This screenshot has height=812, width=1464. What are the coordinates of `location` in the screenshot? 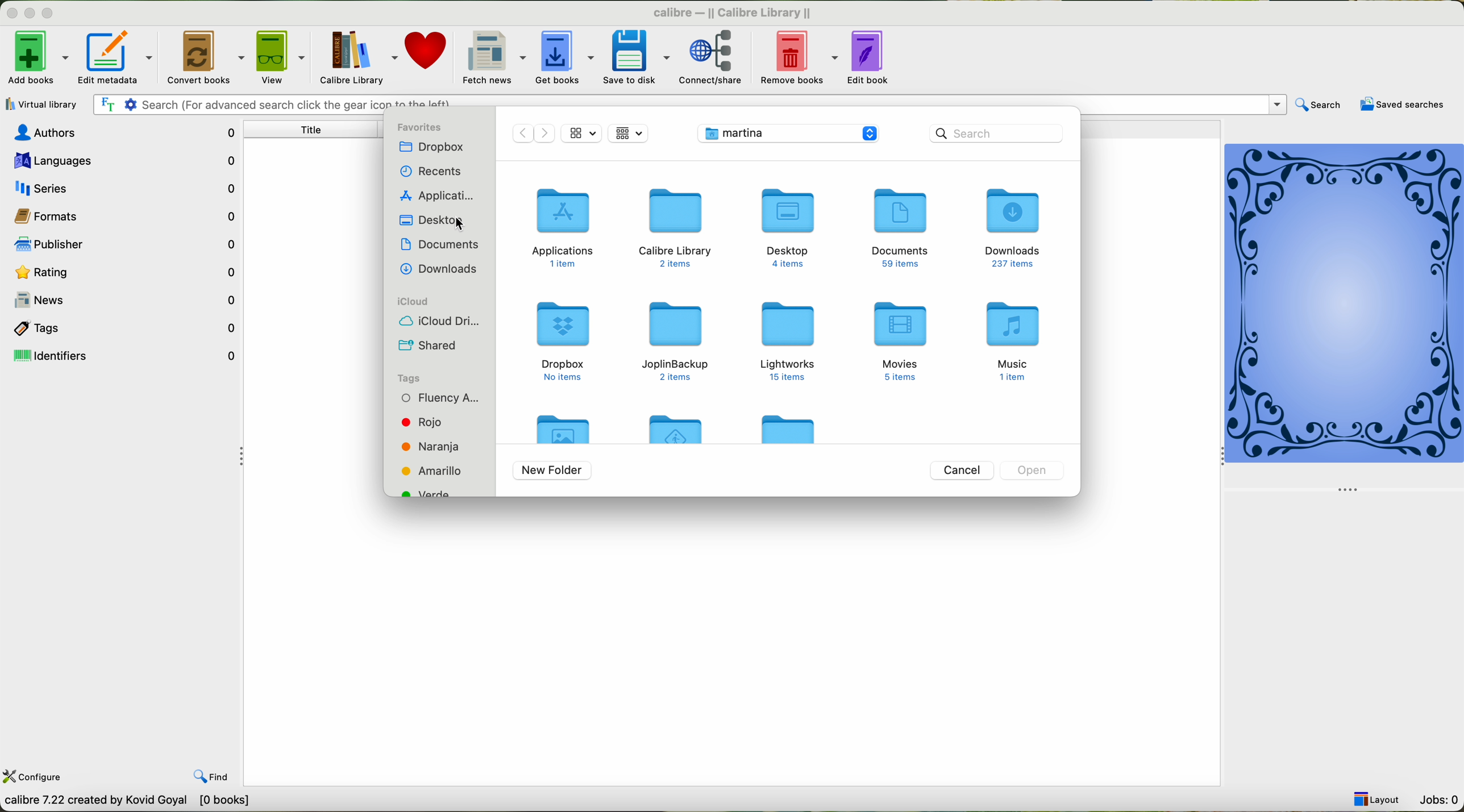 It's located at (791, 133).